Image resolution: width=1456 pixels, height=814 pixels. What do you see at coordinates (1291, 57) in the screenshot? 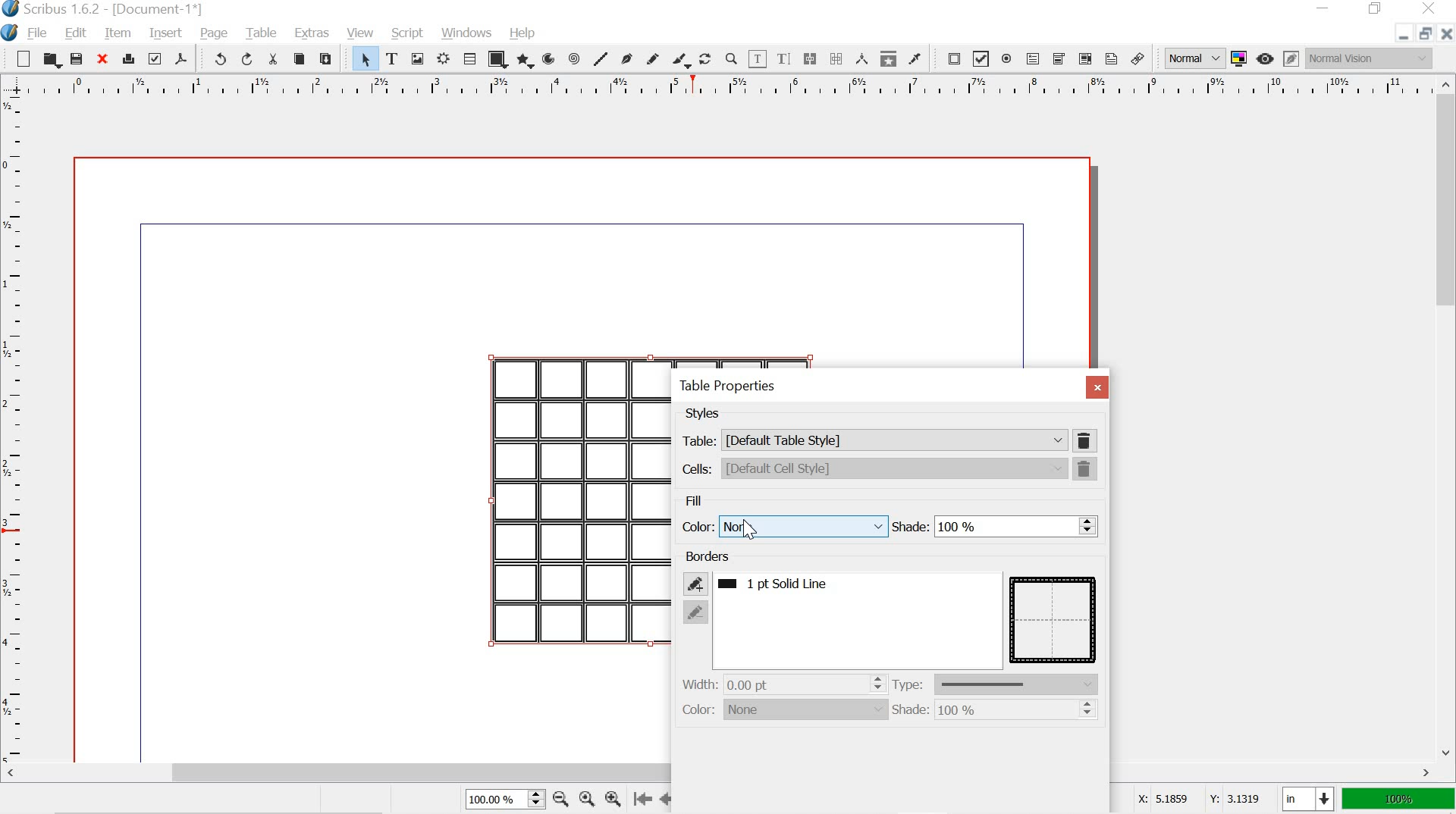
I see `edit in preview mode` at bounding box center [1291, 57].